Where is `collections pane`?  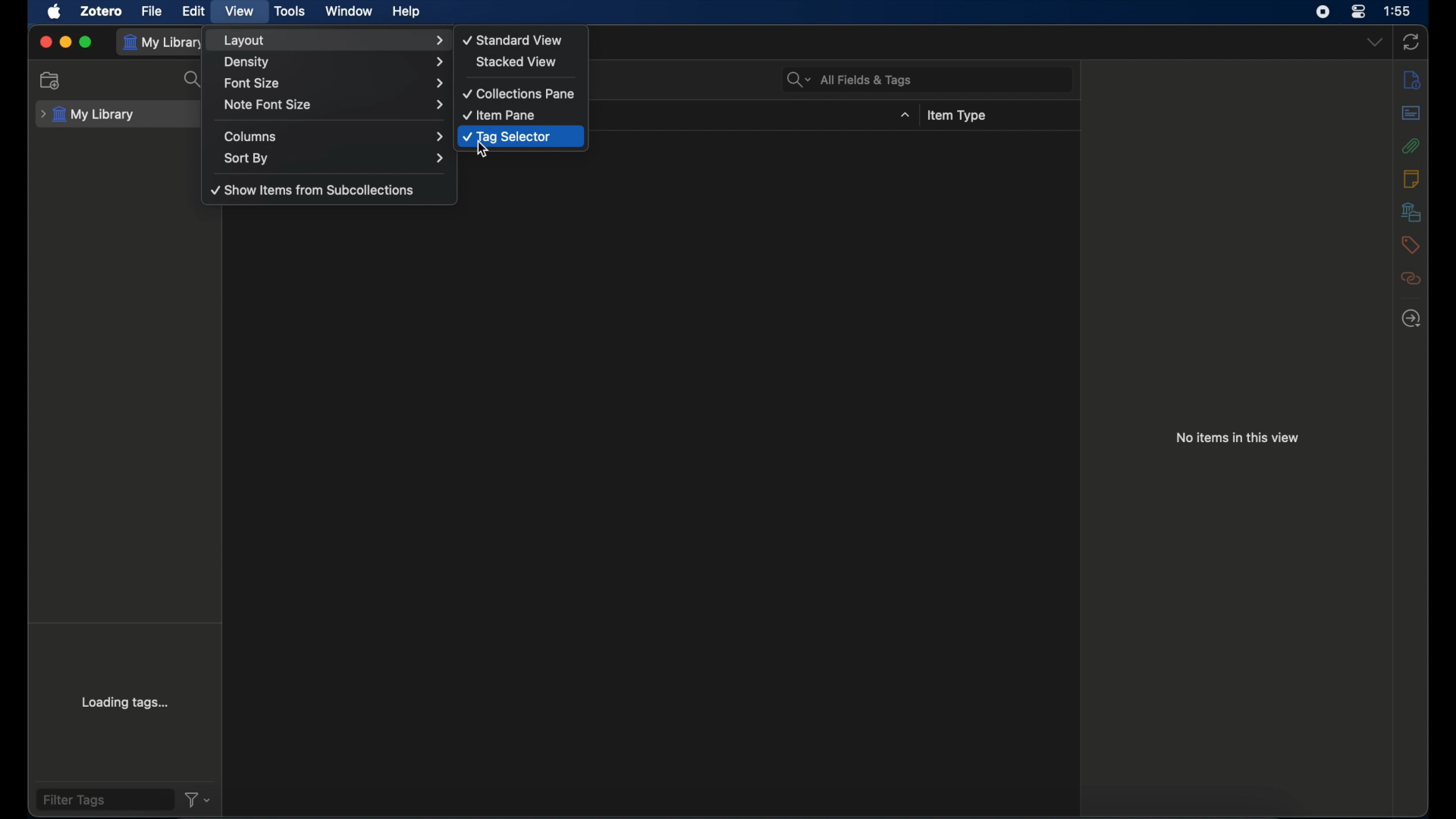 collections pane is located at coordinates (522, 94).